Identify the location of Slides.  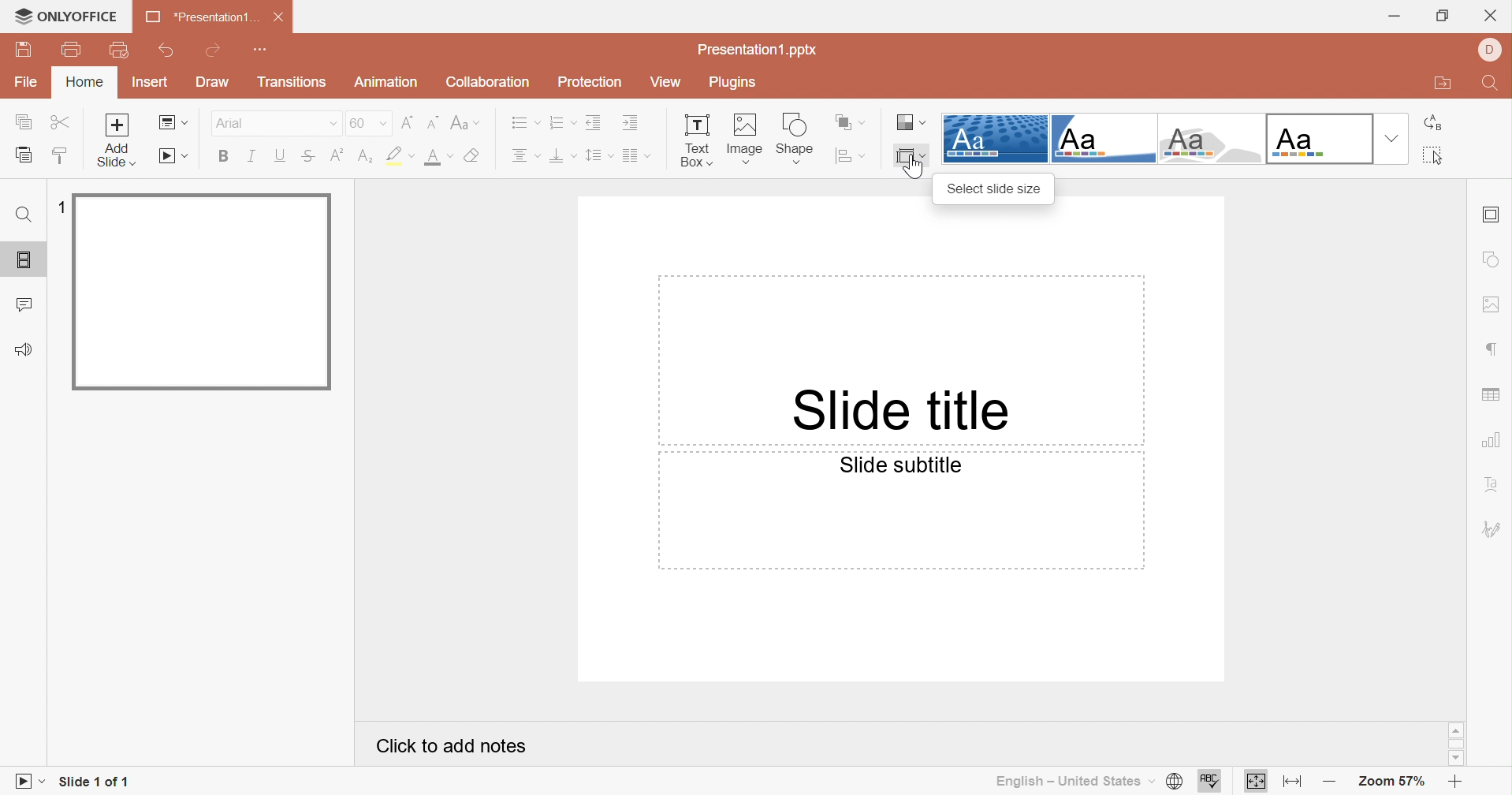
(24, 259).